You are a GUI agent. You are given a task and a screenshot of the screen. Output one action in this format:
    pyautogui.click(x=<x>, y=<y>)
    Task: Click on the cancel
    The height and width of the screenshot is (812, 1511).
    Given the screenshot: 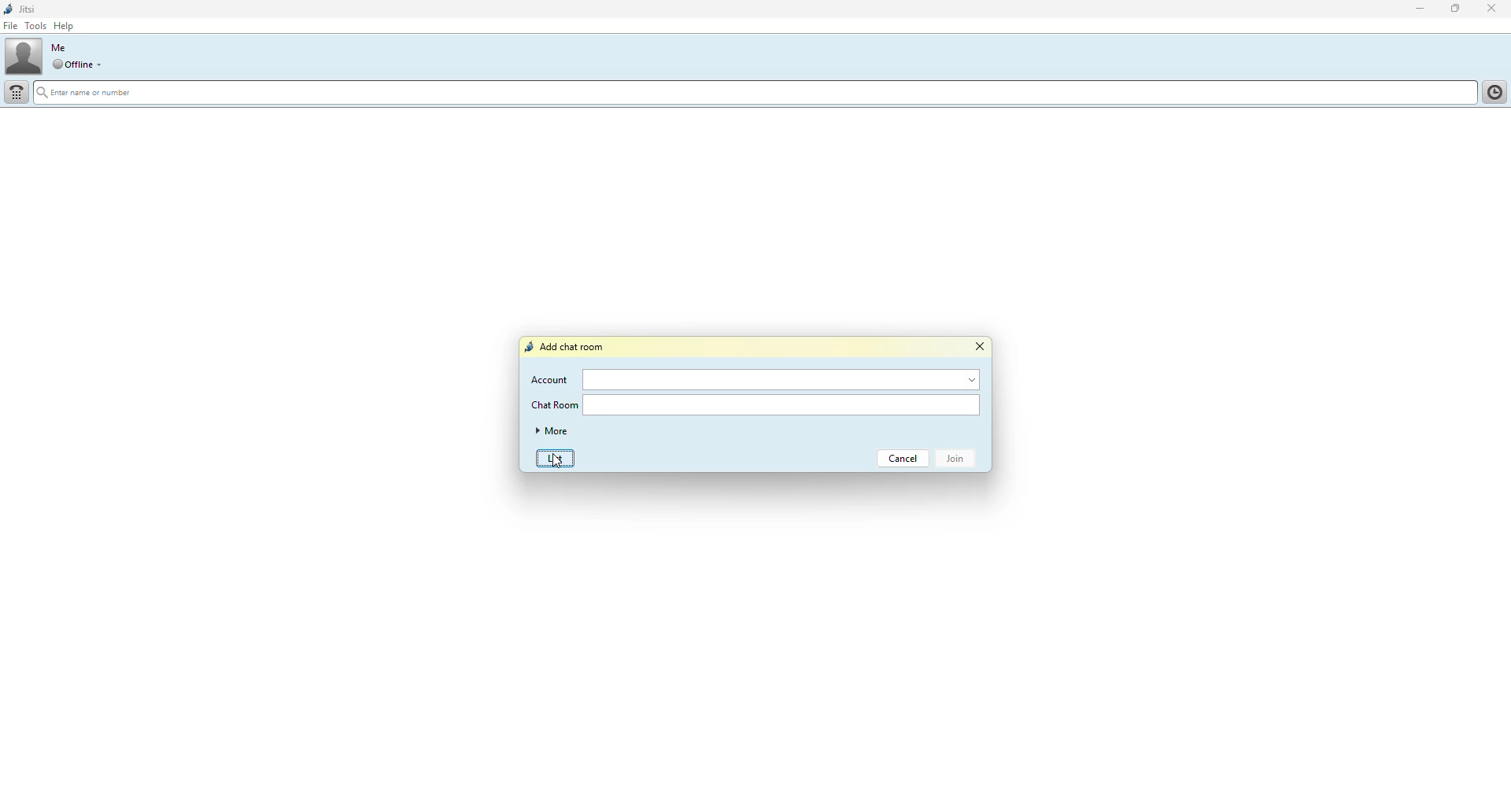 What is the action you would take?
    pyautogui.click(x=905, y=460)
    